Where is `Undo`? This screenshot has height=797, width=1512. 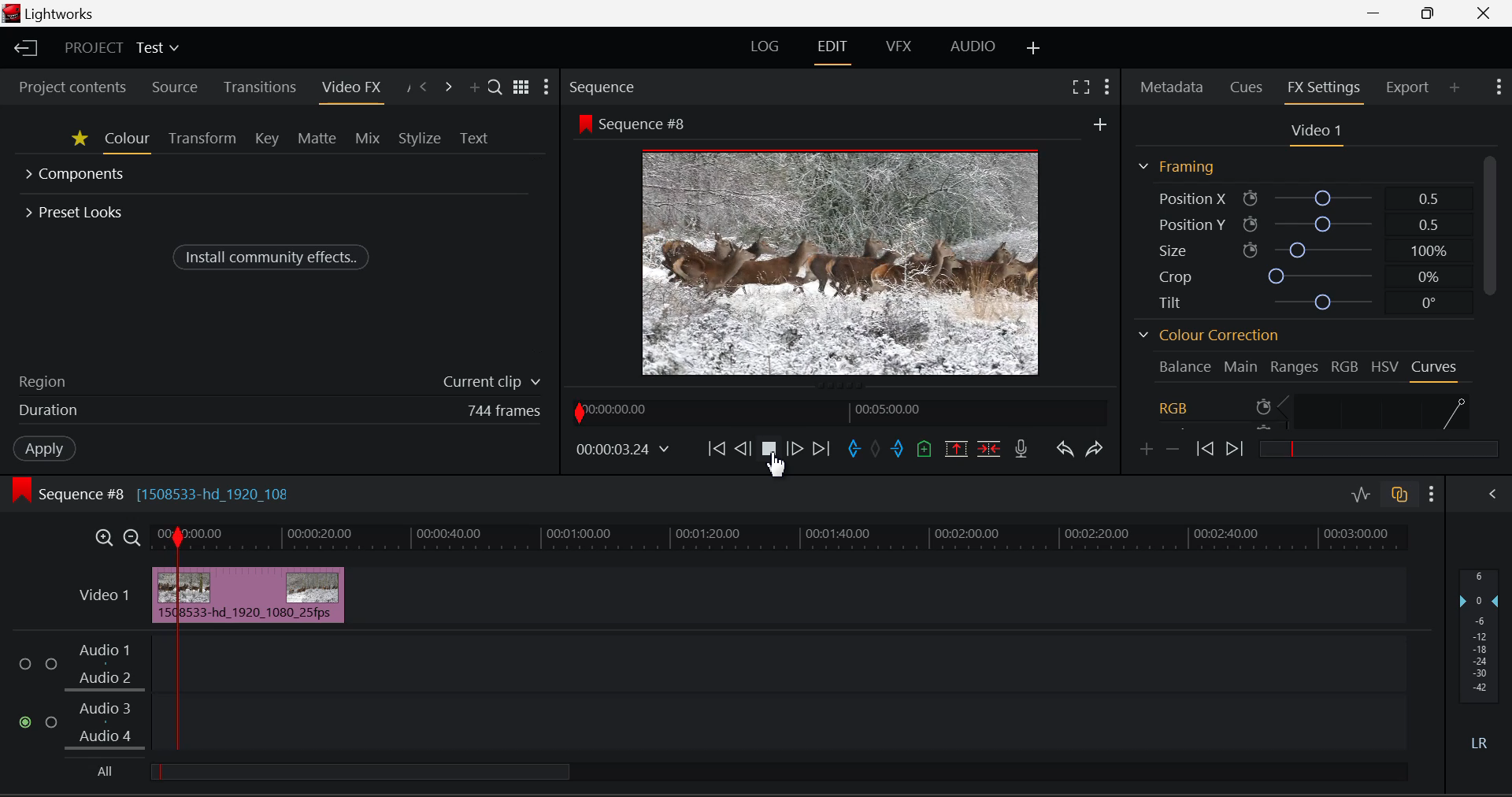 Undo is located at coordinates (1065, 451).